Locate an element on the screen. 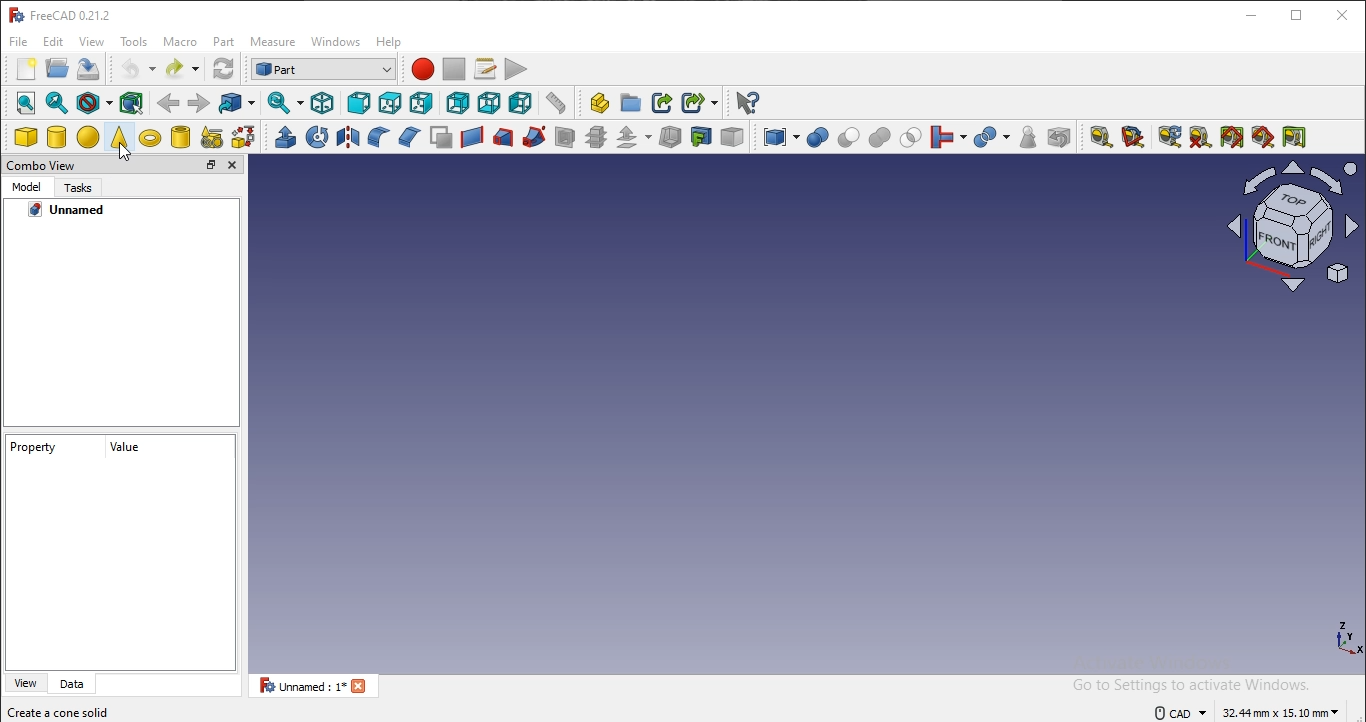 Image resolution: width=1366 pixels, height=722 pixels. bounding box is located at coordinates (130, 101).